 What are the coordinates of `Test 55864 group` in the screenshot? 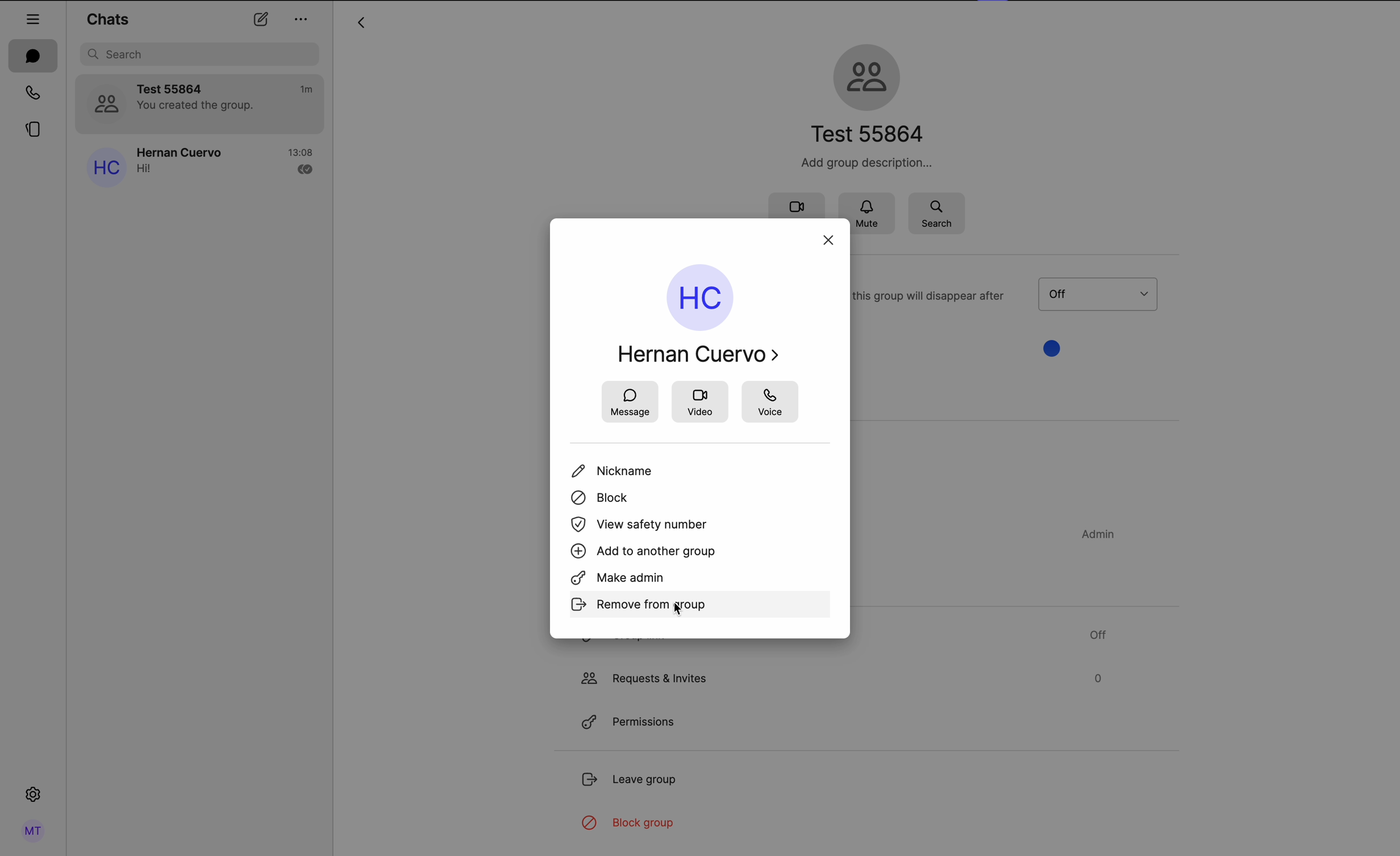 It's located at (201, 104).